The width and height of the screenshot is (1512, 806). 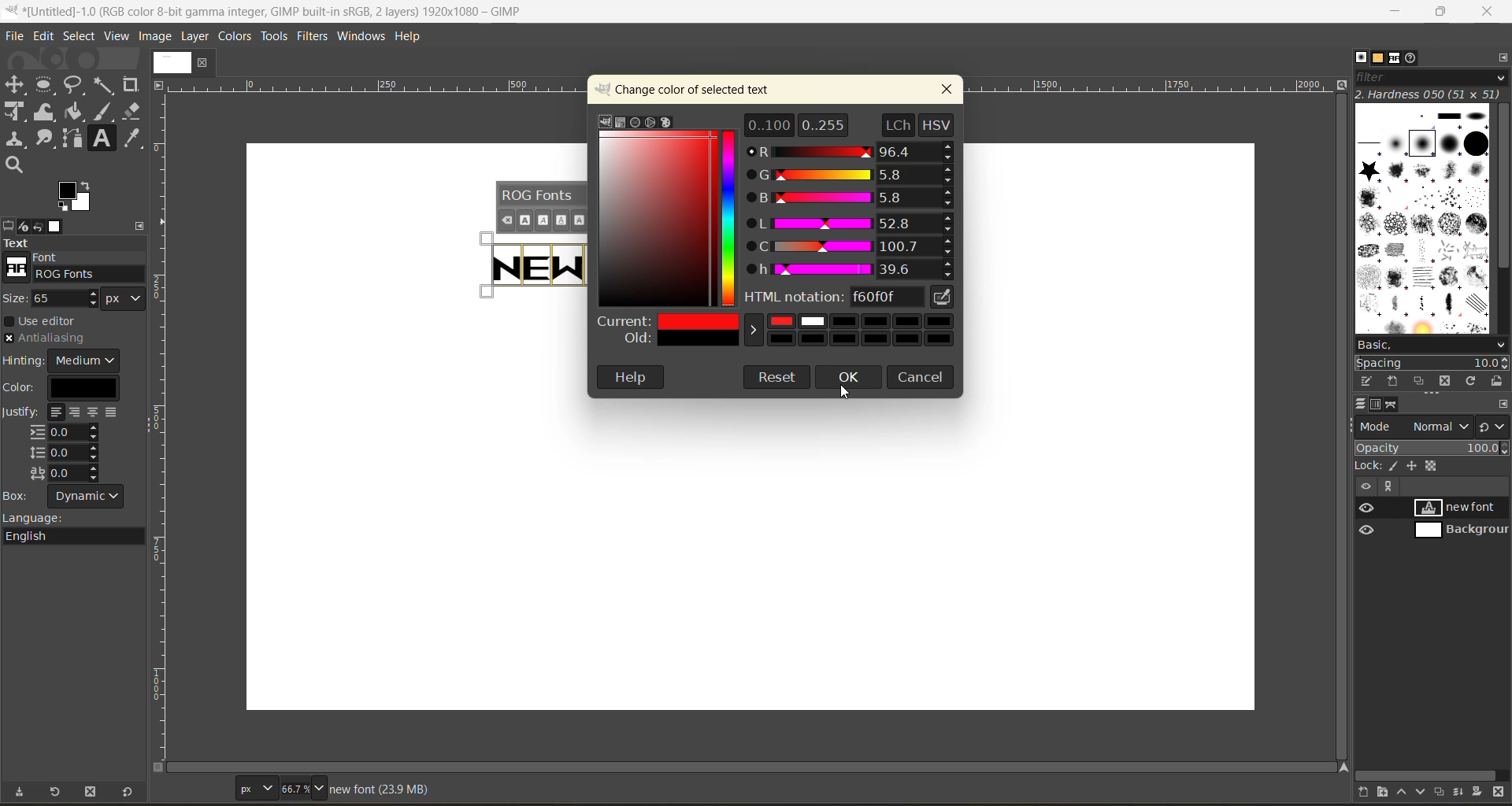 What do you see at coordinates (1432, 346) in the screenshot?
I see `basic` at bounding box center [1432, 346].